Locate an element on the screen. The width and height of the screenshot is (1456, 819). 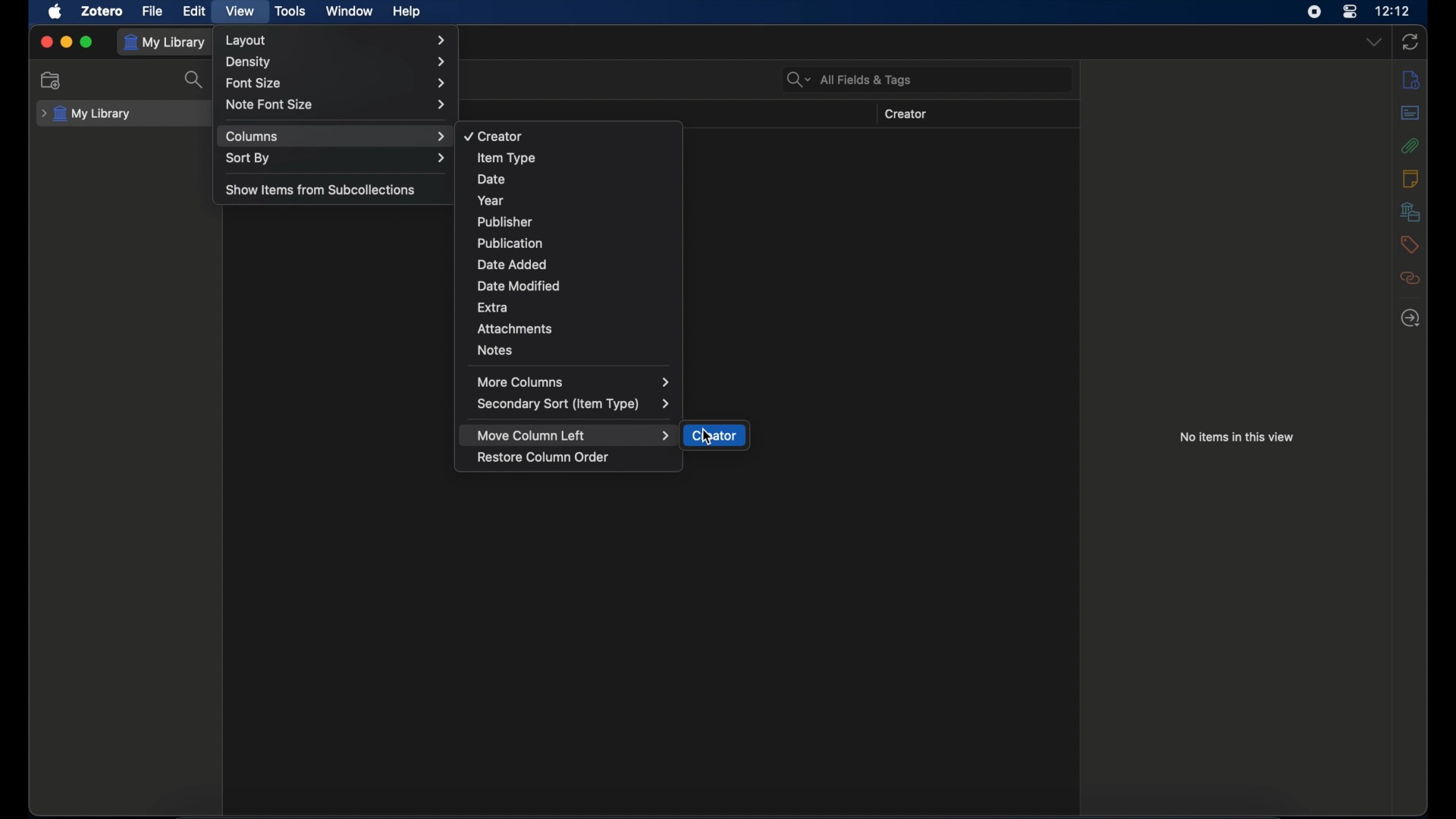
locate is located at coordinates (1411, 318).